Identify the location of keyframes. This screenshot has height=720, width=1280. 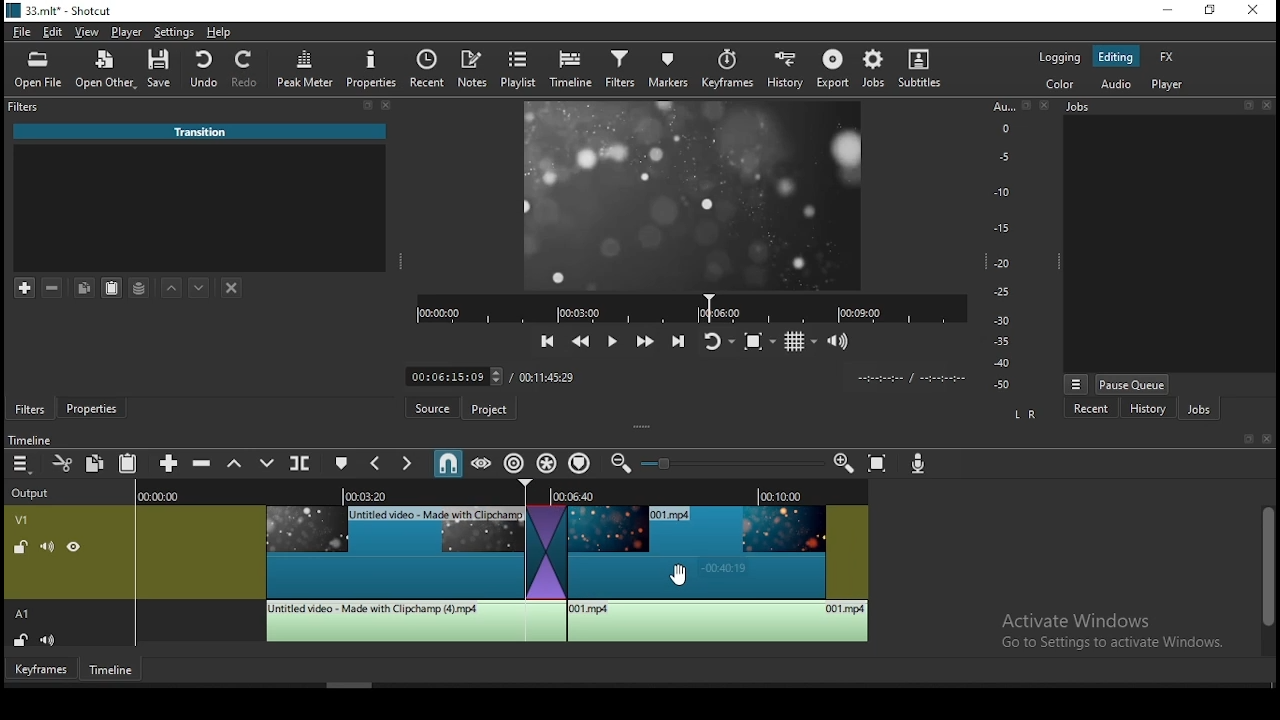
(727, 68).